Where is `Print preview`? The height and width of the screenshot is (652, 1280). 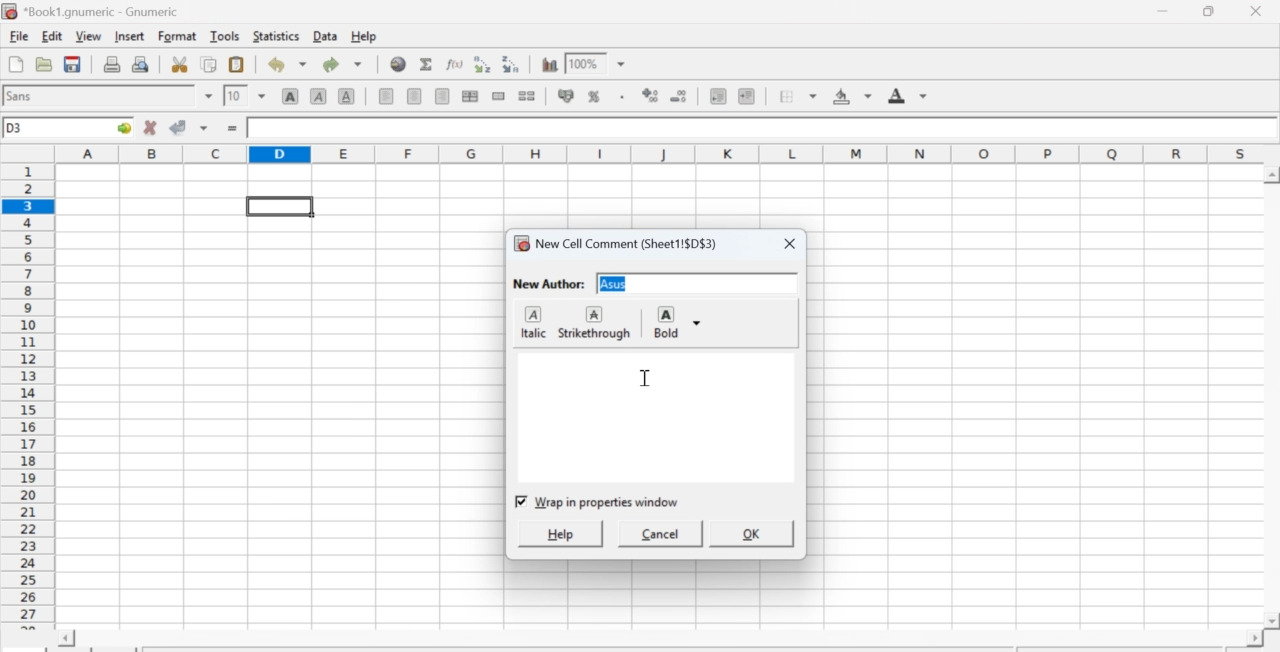
Print preview is located at coordinates (144, 64).